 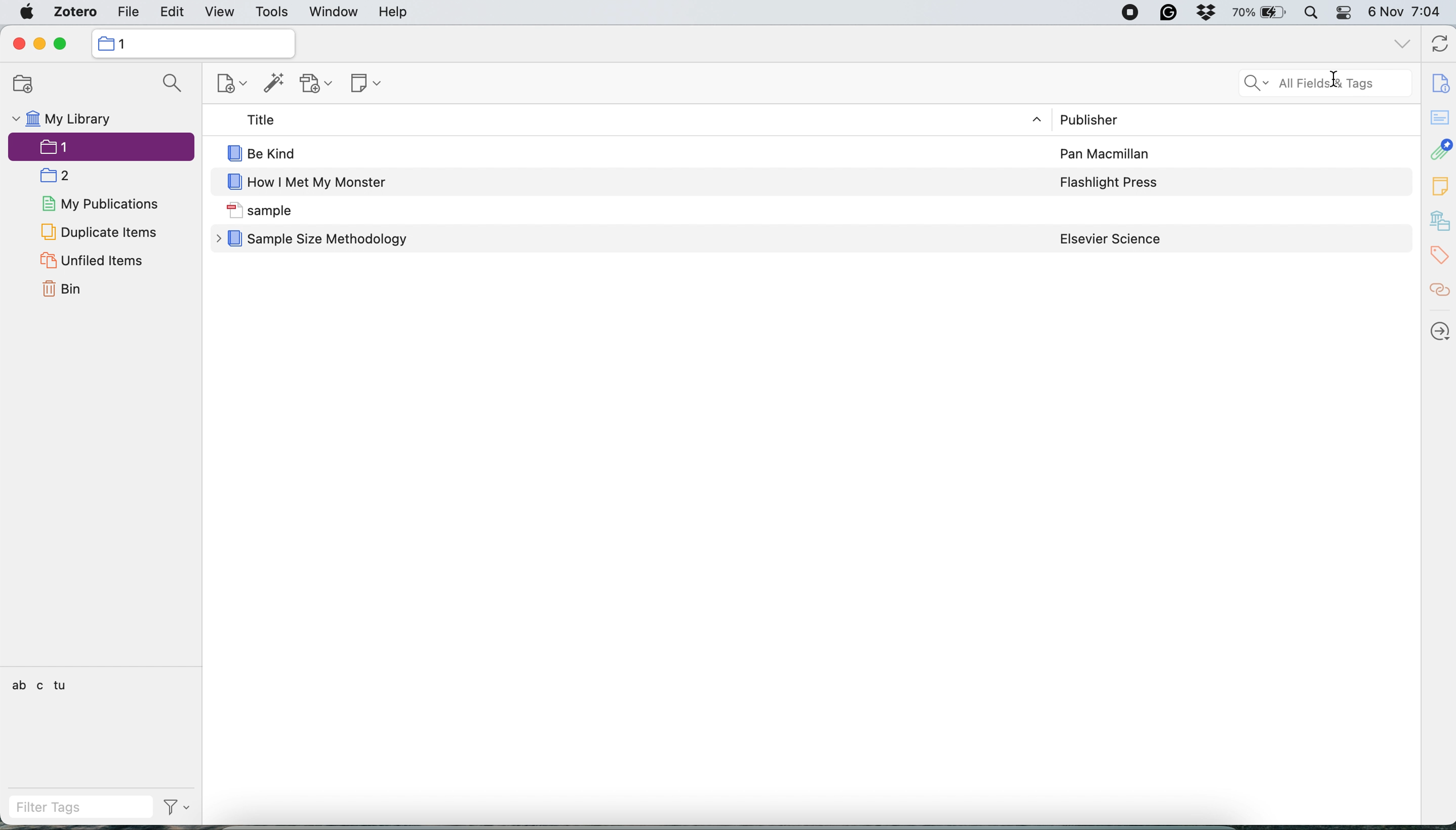 I want to click on grammarly, so click(x=1169, y=13).